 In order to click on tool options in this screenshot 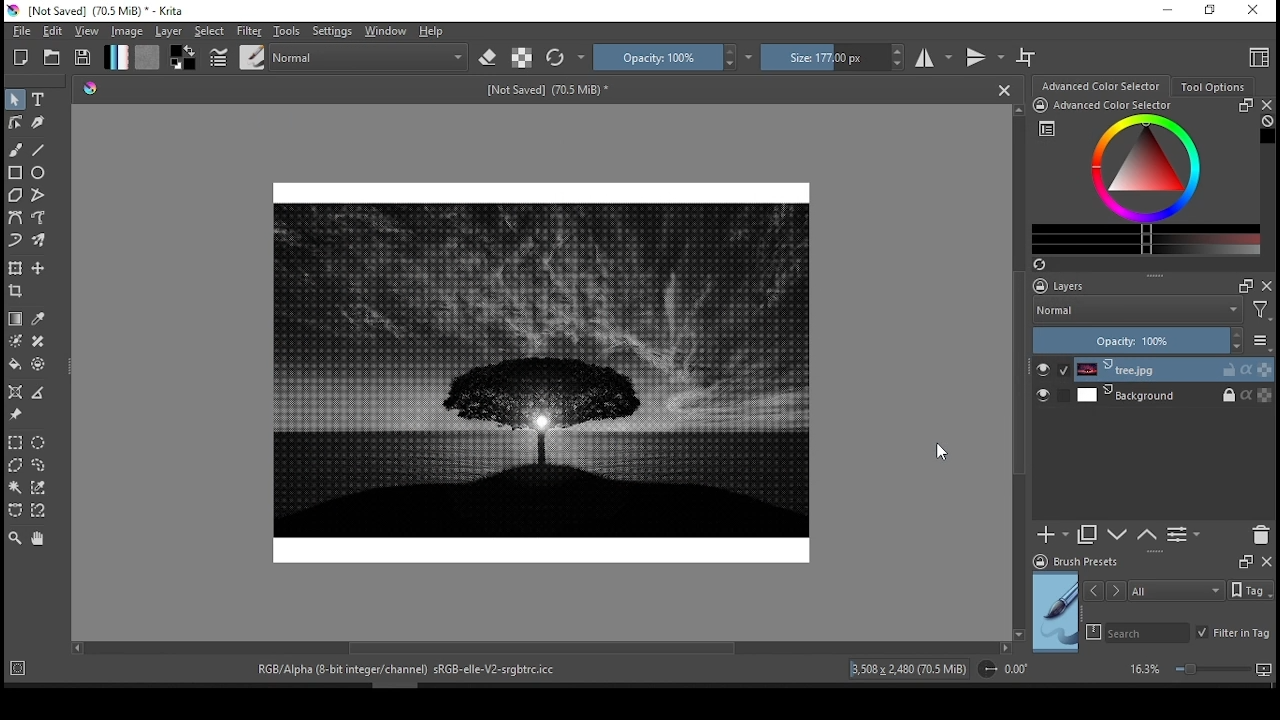, I will do `click(1212, 87)`.